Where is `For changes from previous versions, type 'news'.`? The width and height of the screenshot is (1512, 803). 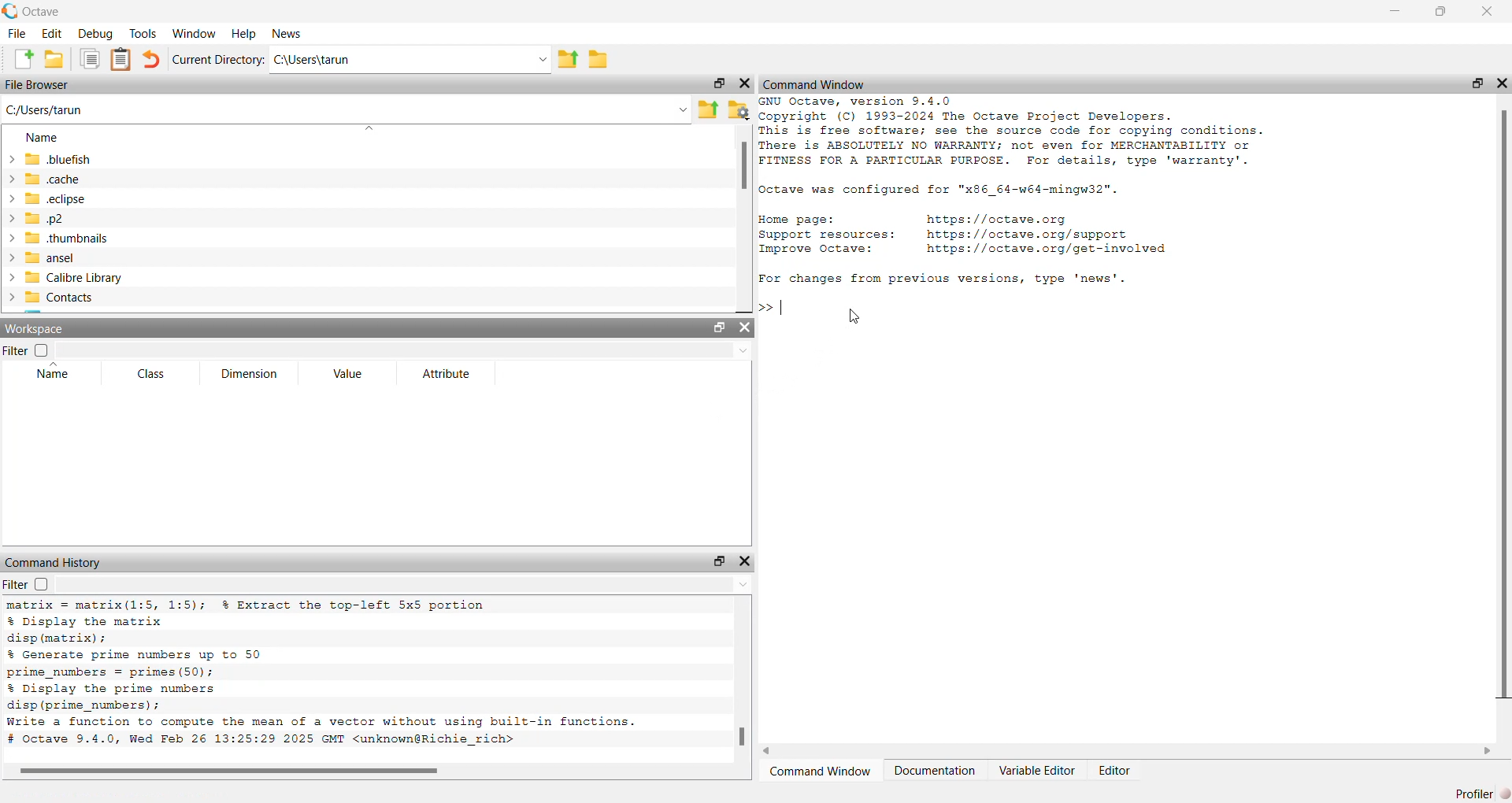
For changes from previous versions, type 'news'. is located at coordinates (943, 279).